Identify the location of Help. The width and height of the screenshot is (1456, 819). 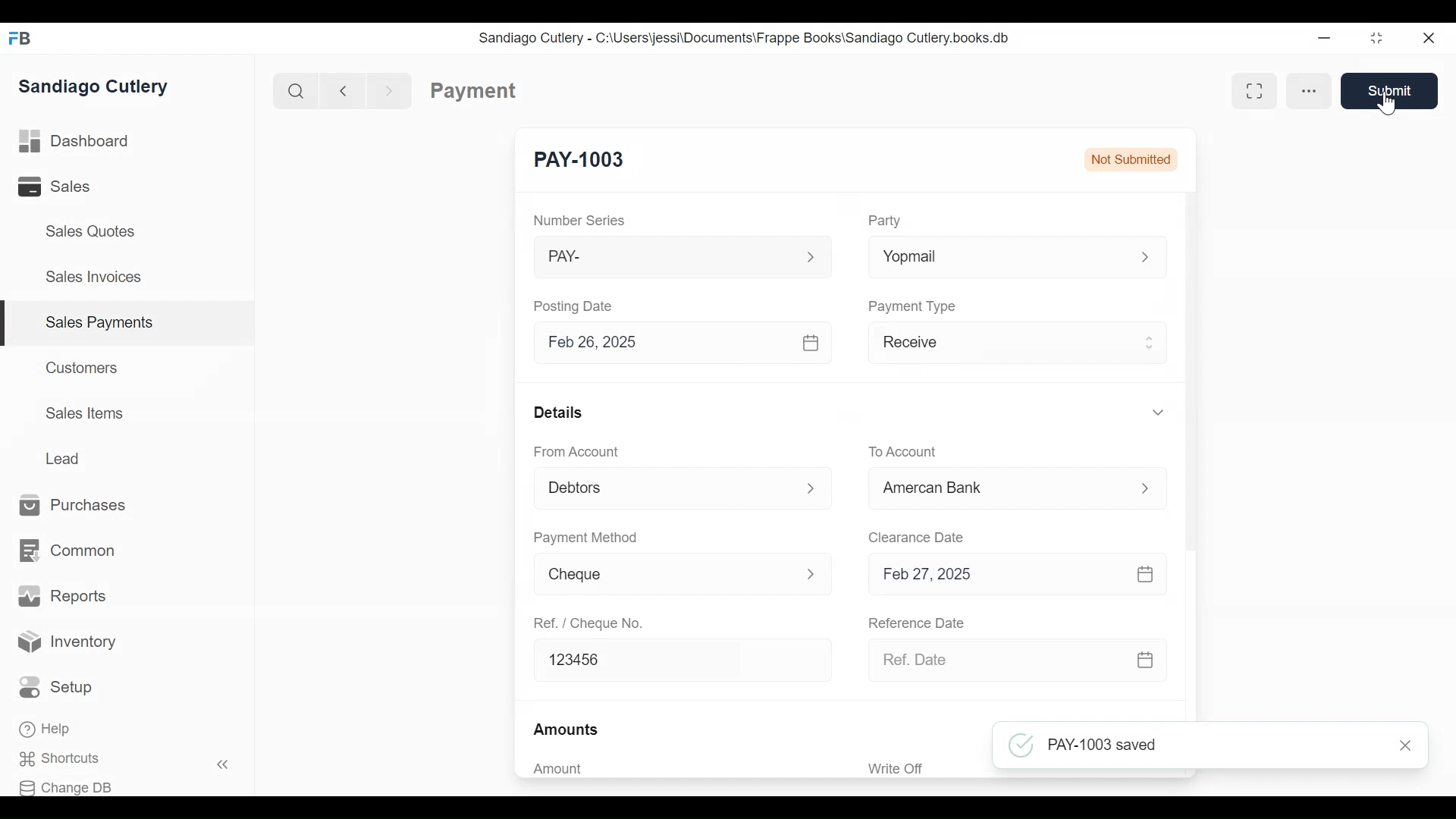
(47, 730).